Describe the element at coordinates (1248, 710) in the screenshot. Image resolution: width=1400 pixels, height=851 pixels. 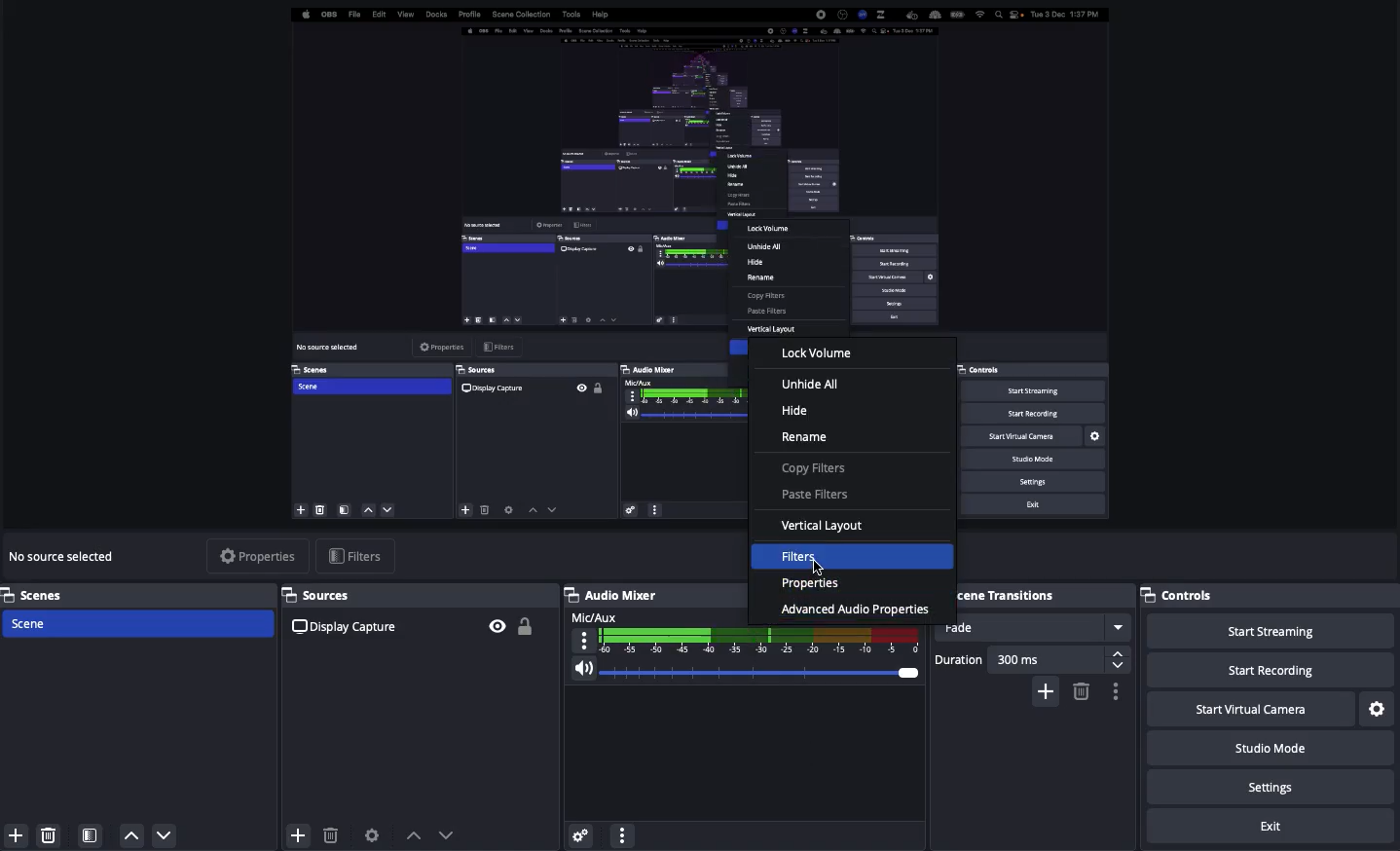
I see `Start virtual camera` at that location.